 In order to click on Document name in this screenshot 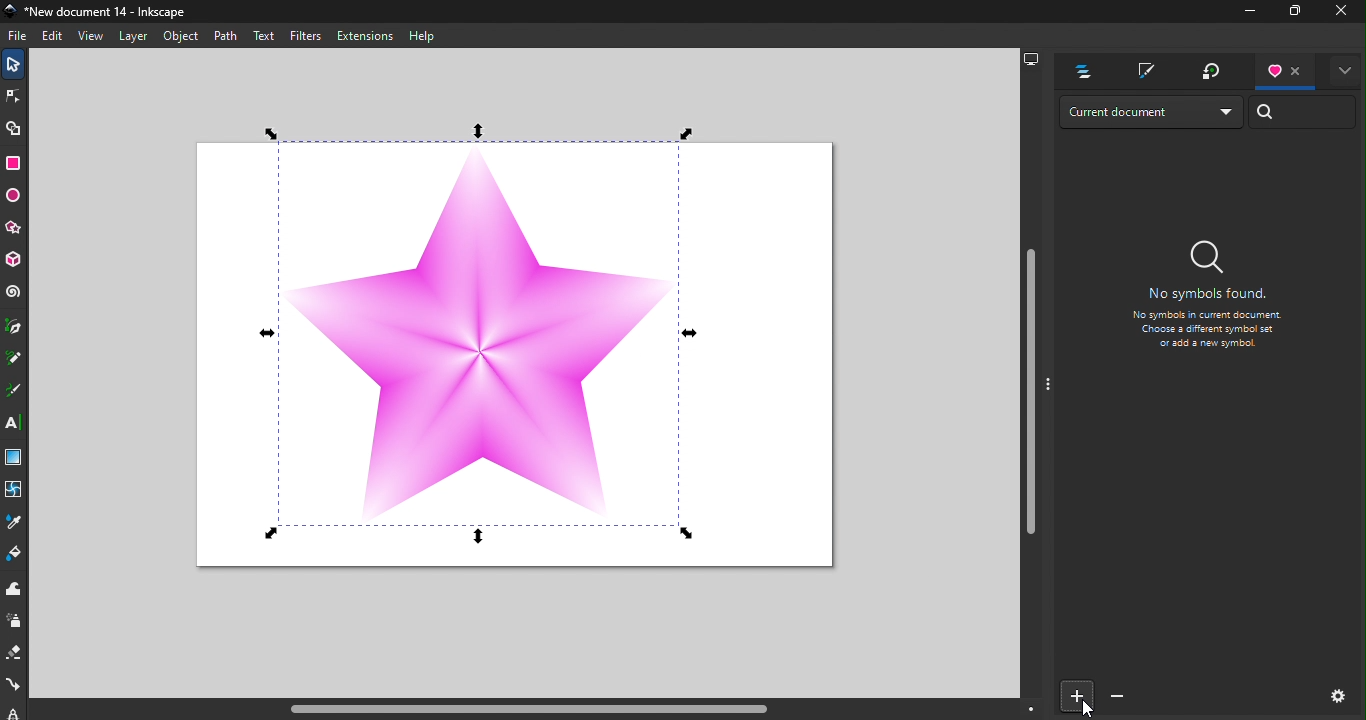, I will do `click(101, 11)`.